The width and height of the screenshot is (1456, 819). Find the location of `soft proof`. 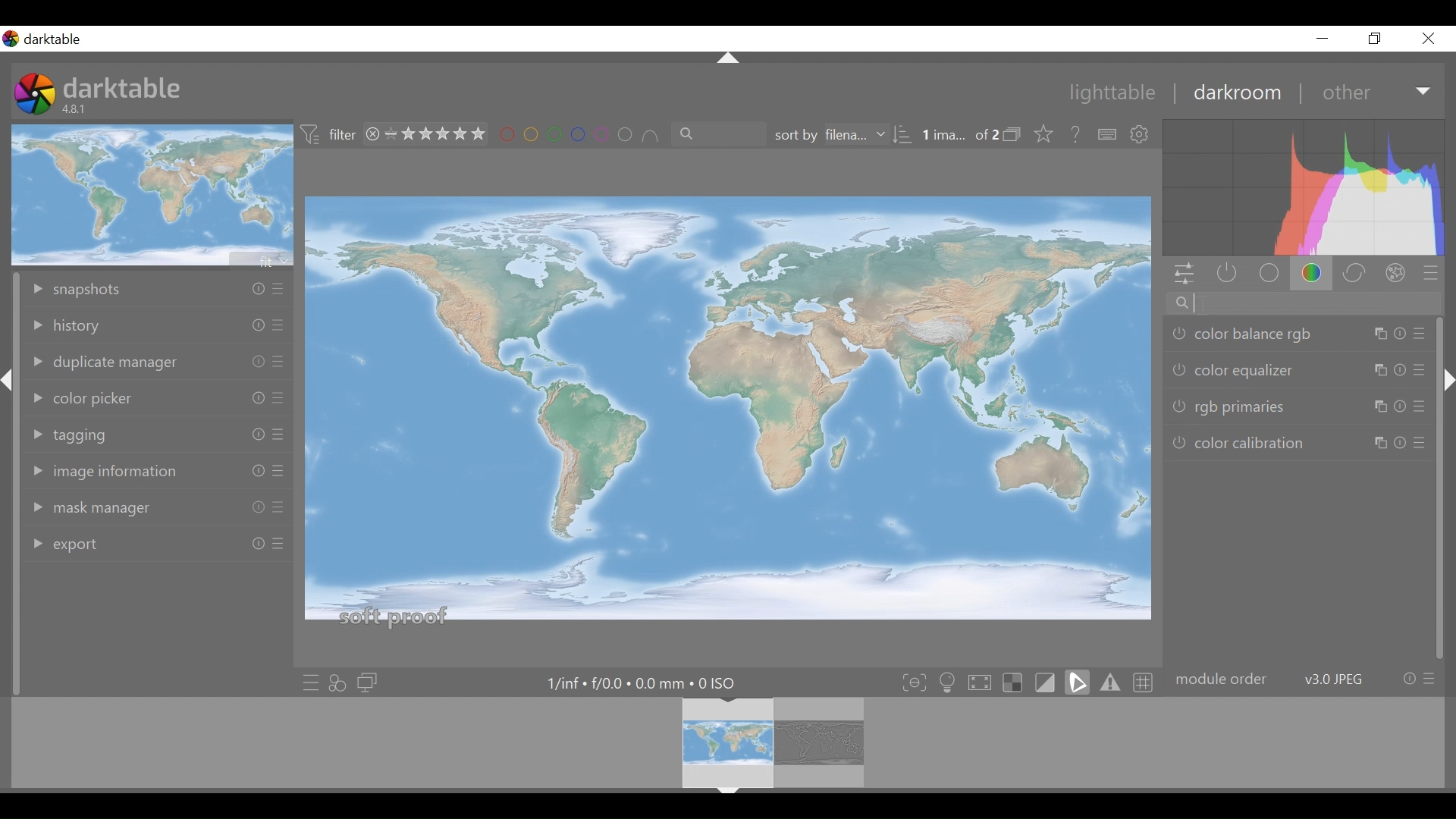

soft proof is located at coordinates (395, 616).